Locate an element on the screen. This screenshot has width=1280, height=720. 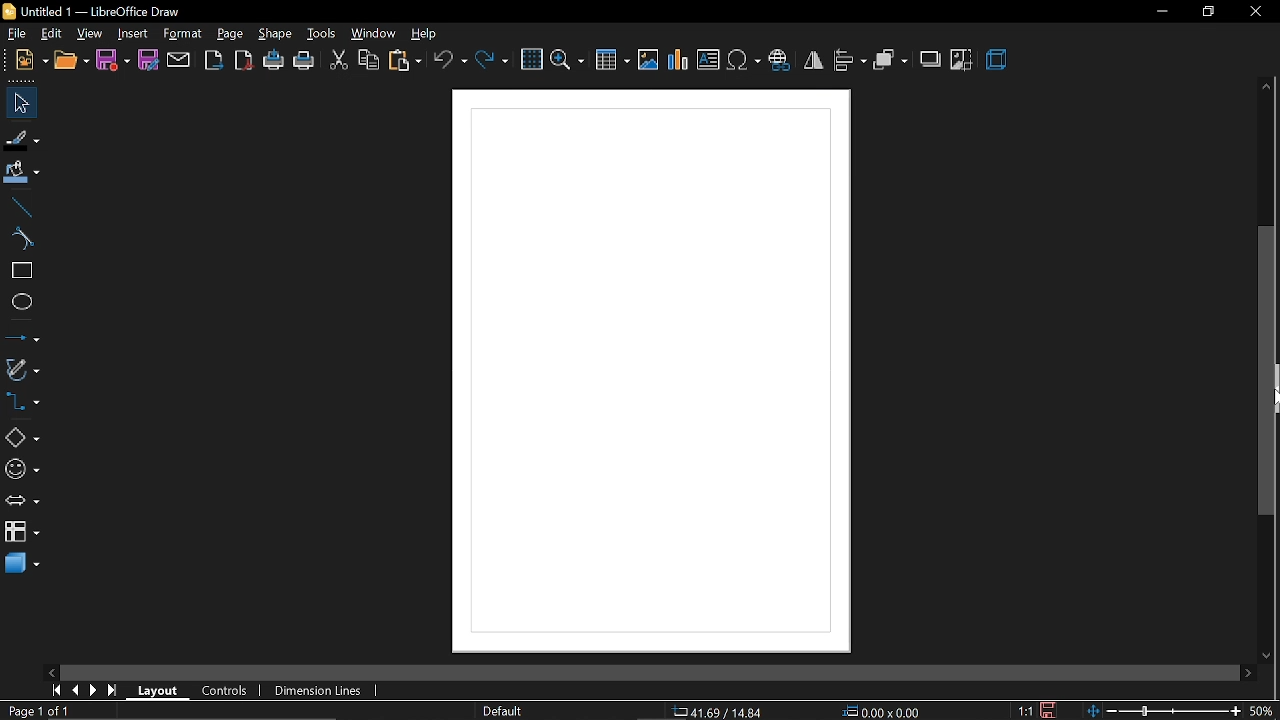
previous page is located at coordinates (72, 692).